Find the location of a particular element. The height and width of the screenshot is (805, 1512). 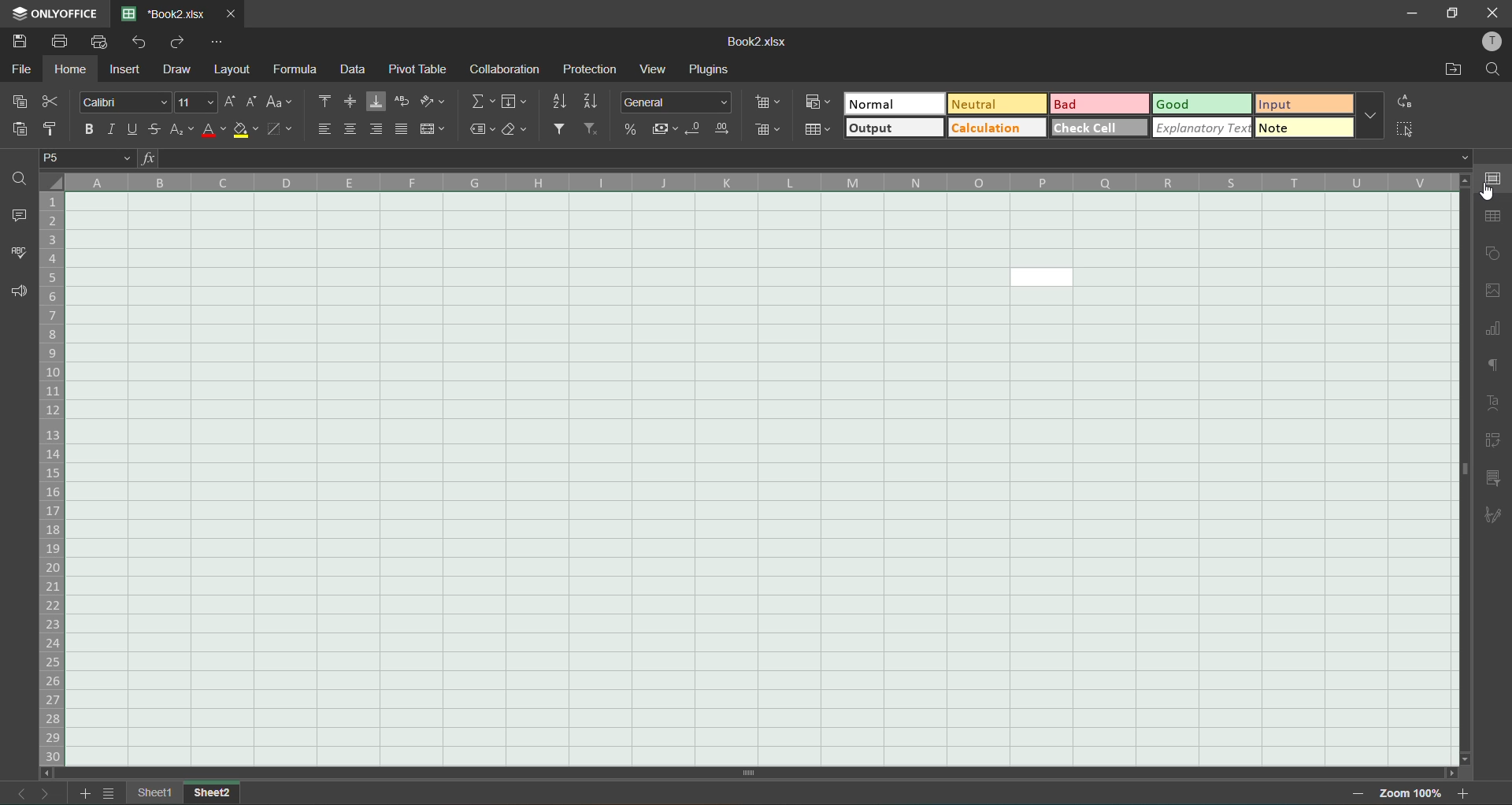

ONLY OFFICE is located at coordinates (57, 10).